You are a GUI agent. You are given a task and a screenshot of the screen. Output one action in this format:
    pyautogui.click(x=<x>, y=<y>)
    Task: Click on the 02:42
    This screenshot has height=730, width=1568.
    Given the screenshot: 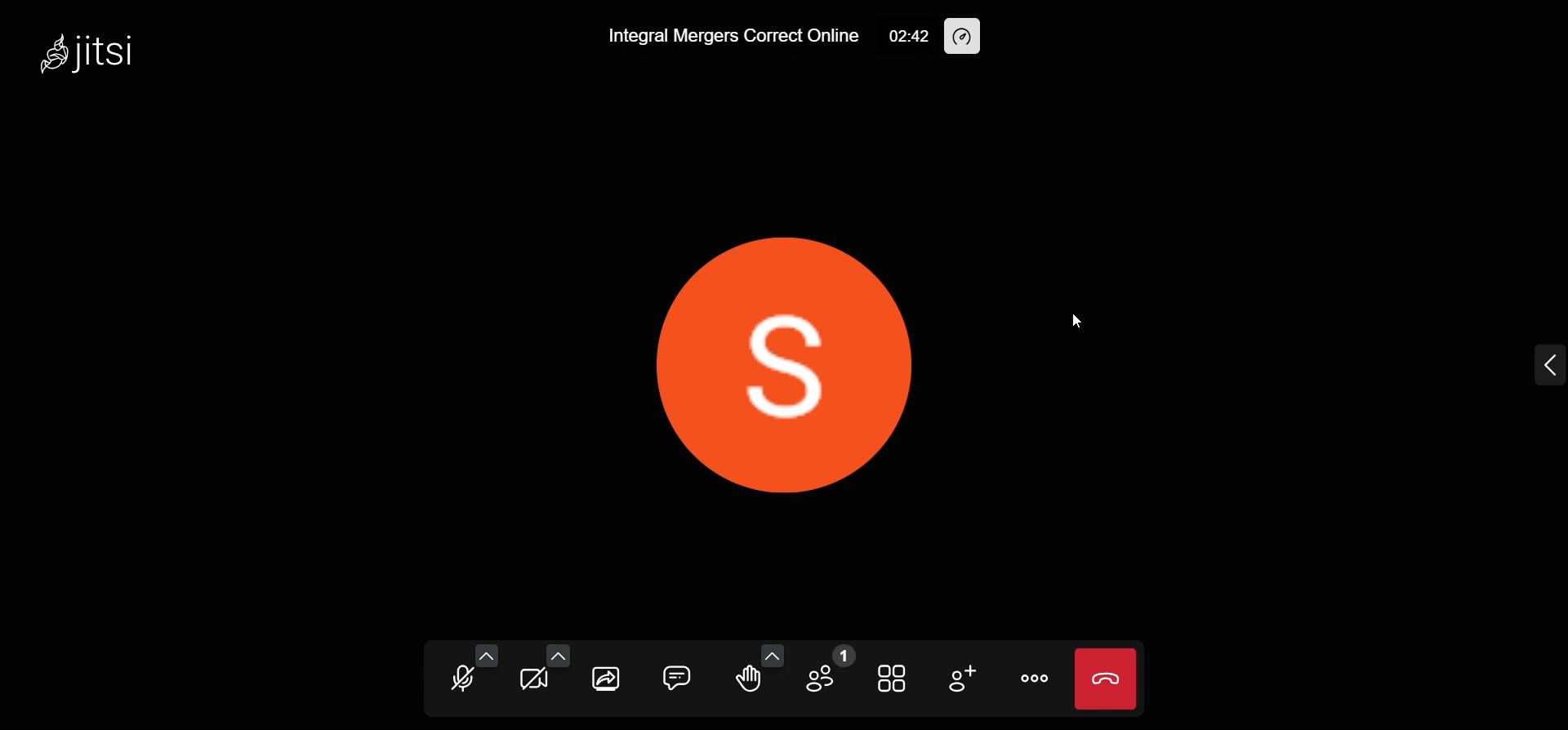 What is the action you would take?
    pyautogui.click(x=906, y=35)
    